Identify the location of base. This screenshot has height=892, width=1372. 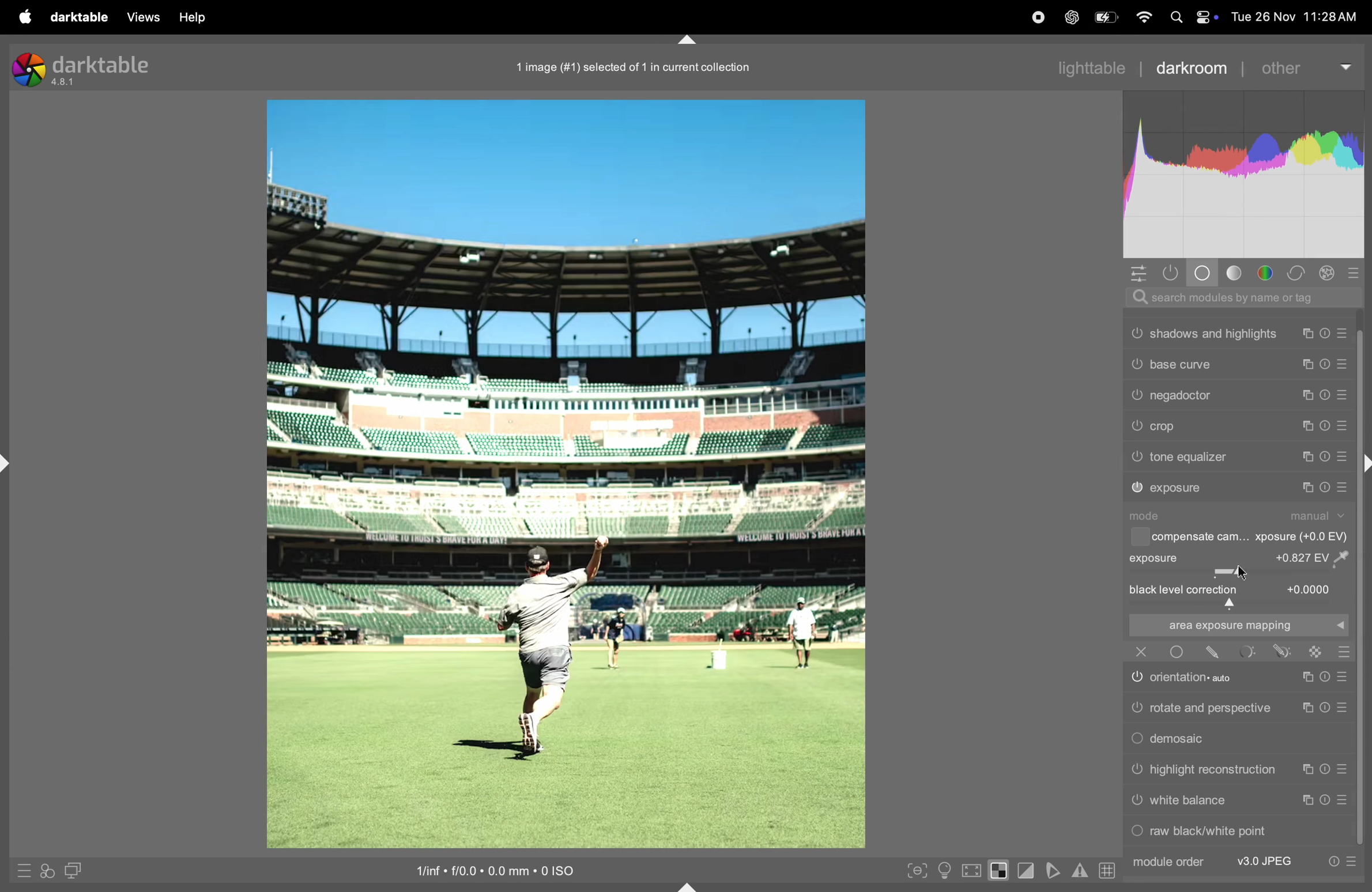
(1204, 273).